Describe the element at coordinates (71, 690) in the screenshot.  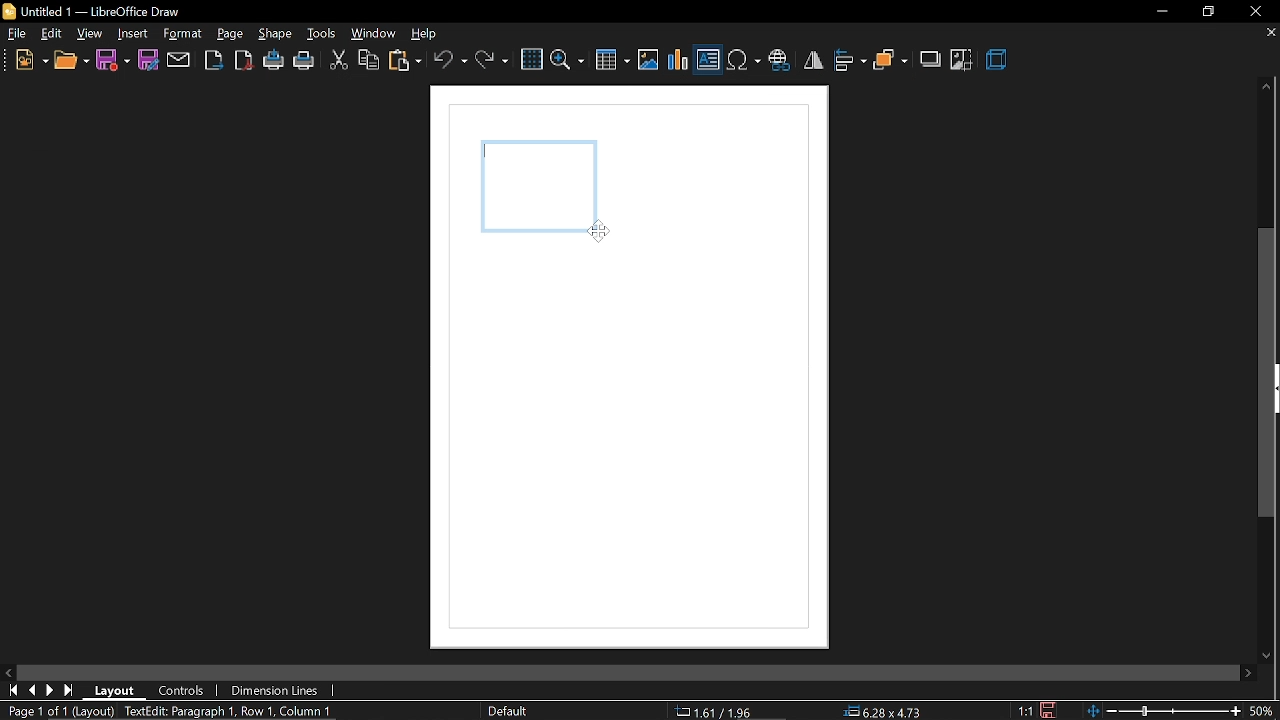
I see `next page` at that location.